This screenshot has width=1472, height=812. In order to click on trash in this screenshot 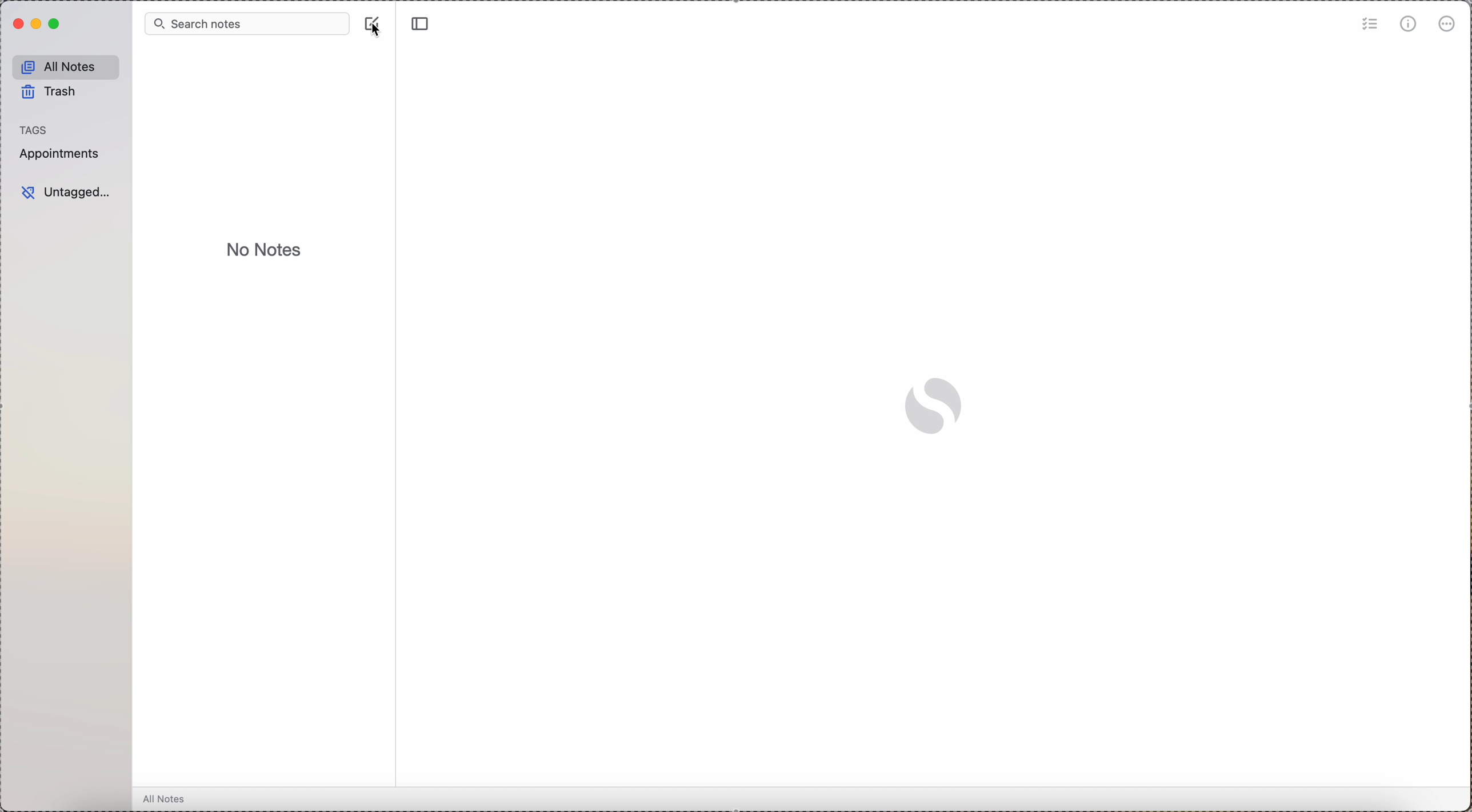, I will do `click(49, 91)`.